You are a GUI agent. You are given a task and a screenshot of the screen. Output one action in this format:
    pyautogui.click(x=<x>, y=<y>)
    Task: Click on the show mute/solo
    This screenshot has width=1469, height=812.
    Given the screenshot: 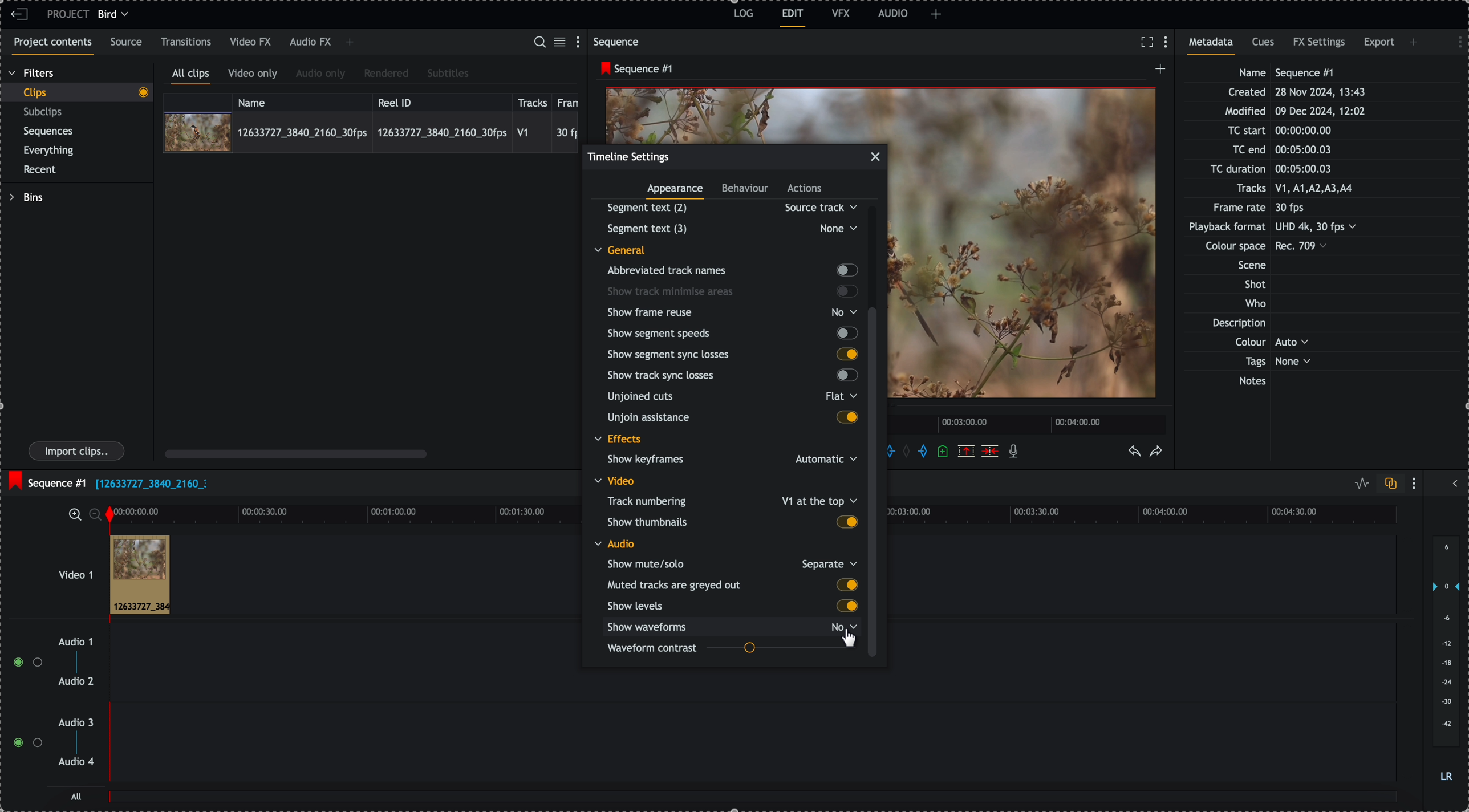 What is the action you would take?
    pyautogui.click(x=731, y=563)
    